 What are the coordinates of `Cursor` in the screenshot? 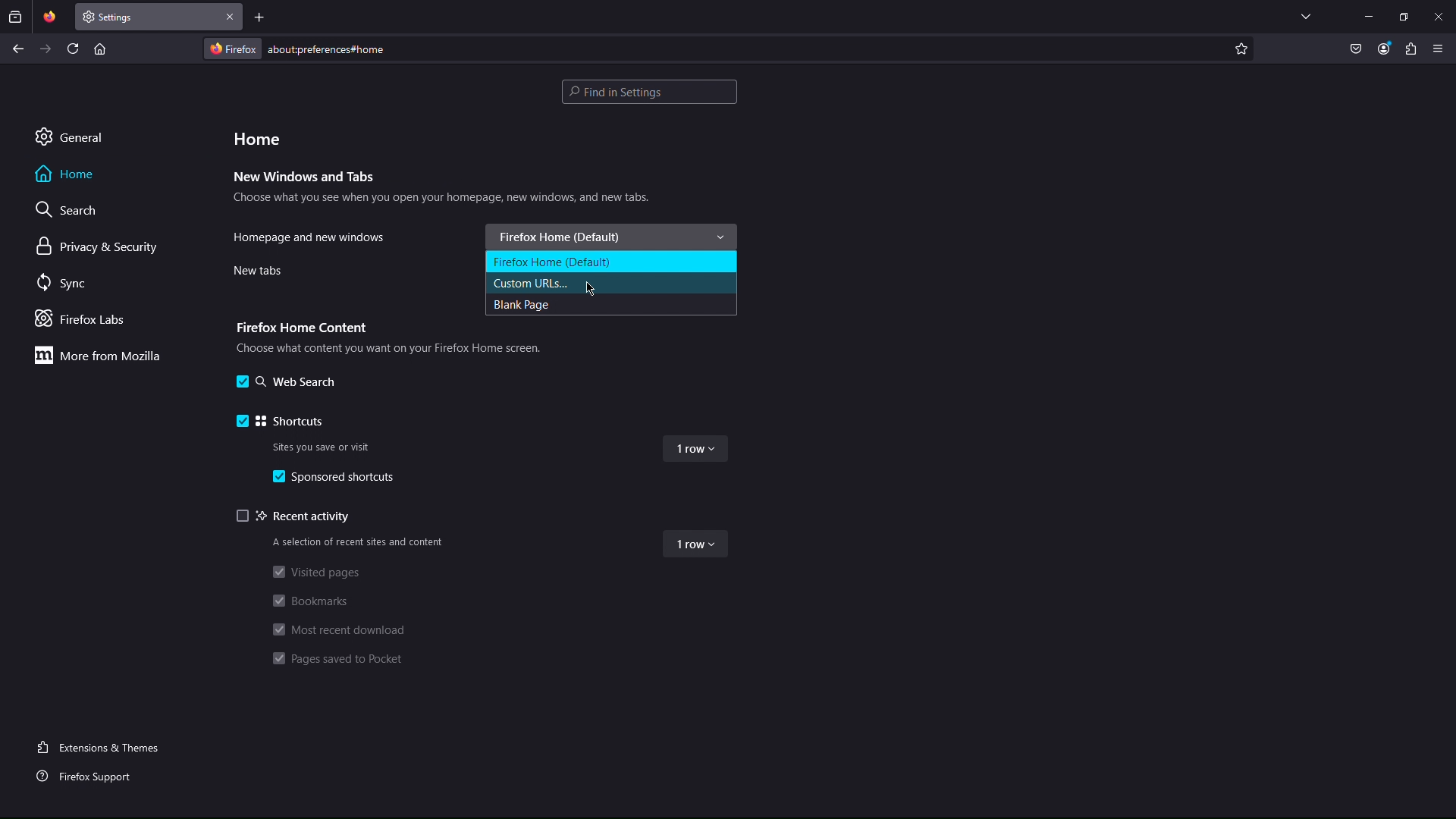 It's located at (591, 287).